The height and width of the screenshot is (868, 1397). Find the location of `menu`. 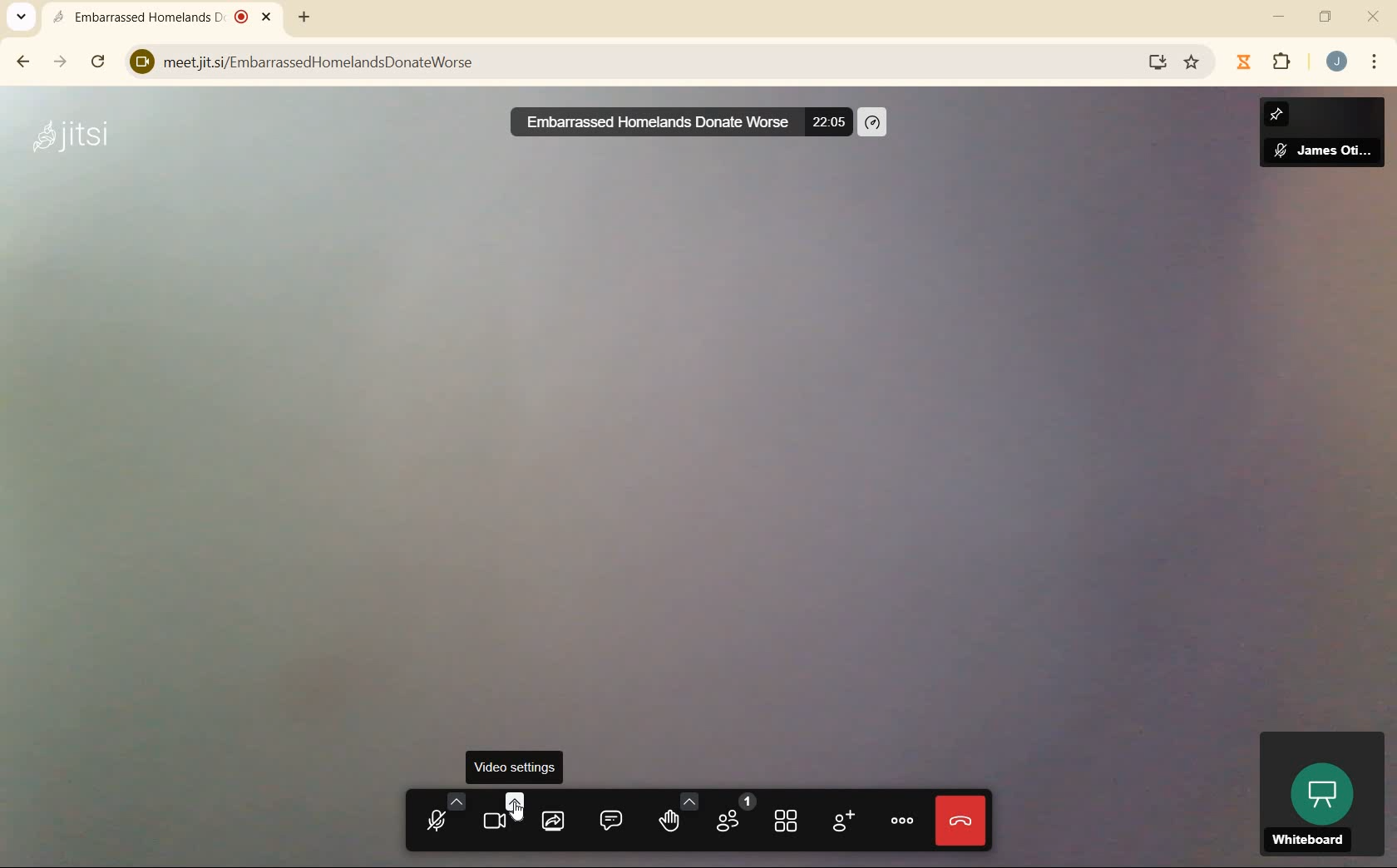

menu is located at coordinates (1375, 64).